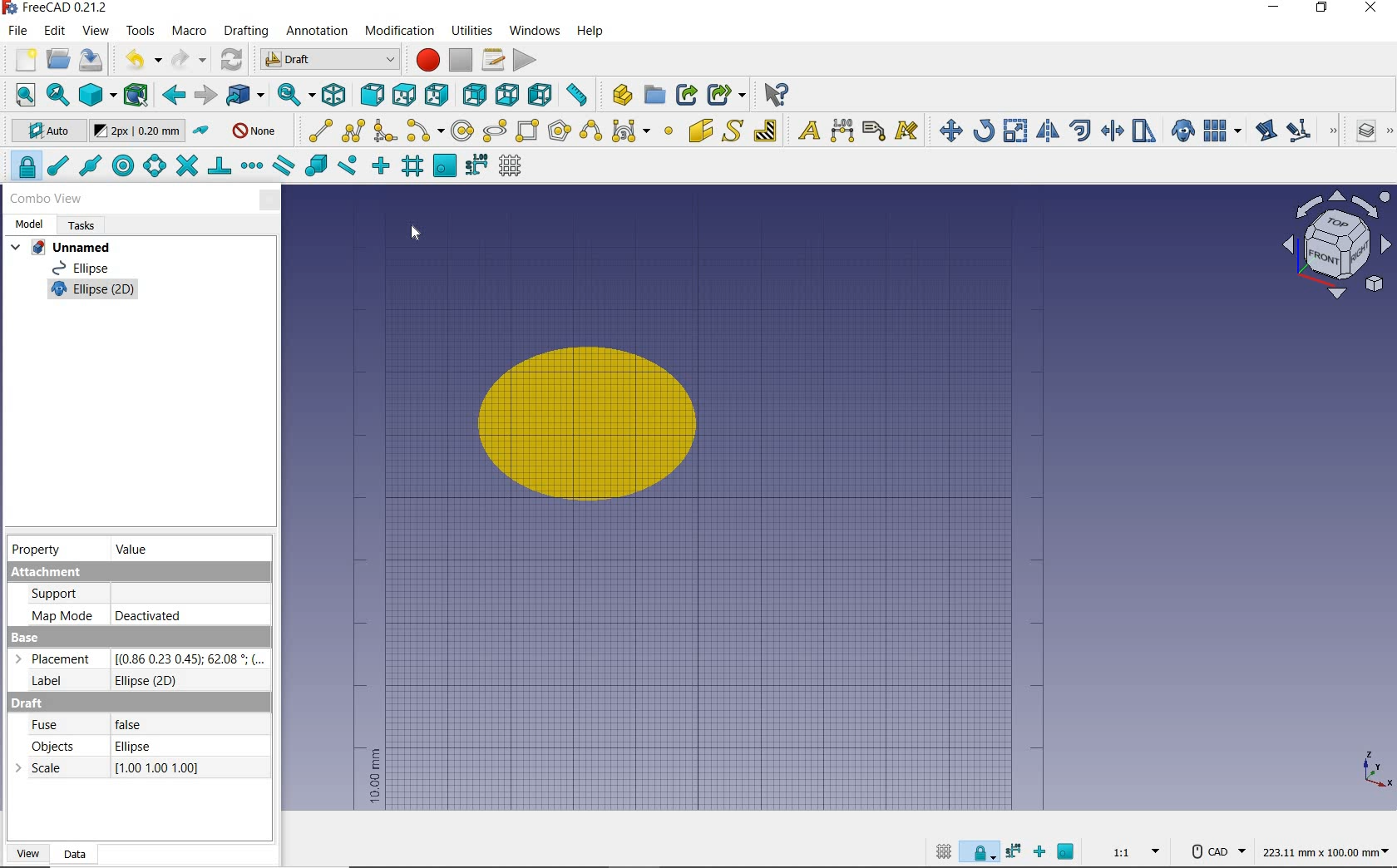  What do you see at coordinates (189, 33) in the screenshot?
I see `macro` at bounding box center [189, 33].